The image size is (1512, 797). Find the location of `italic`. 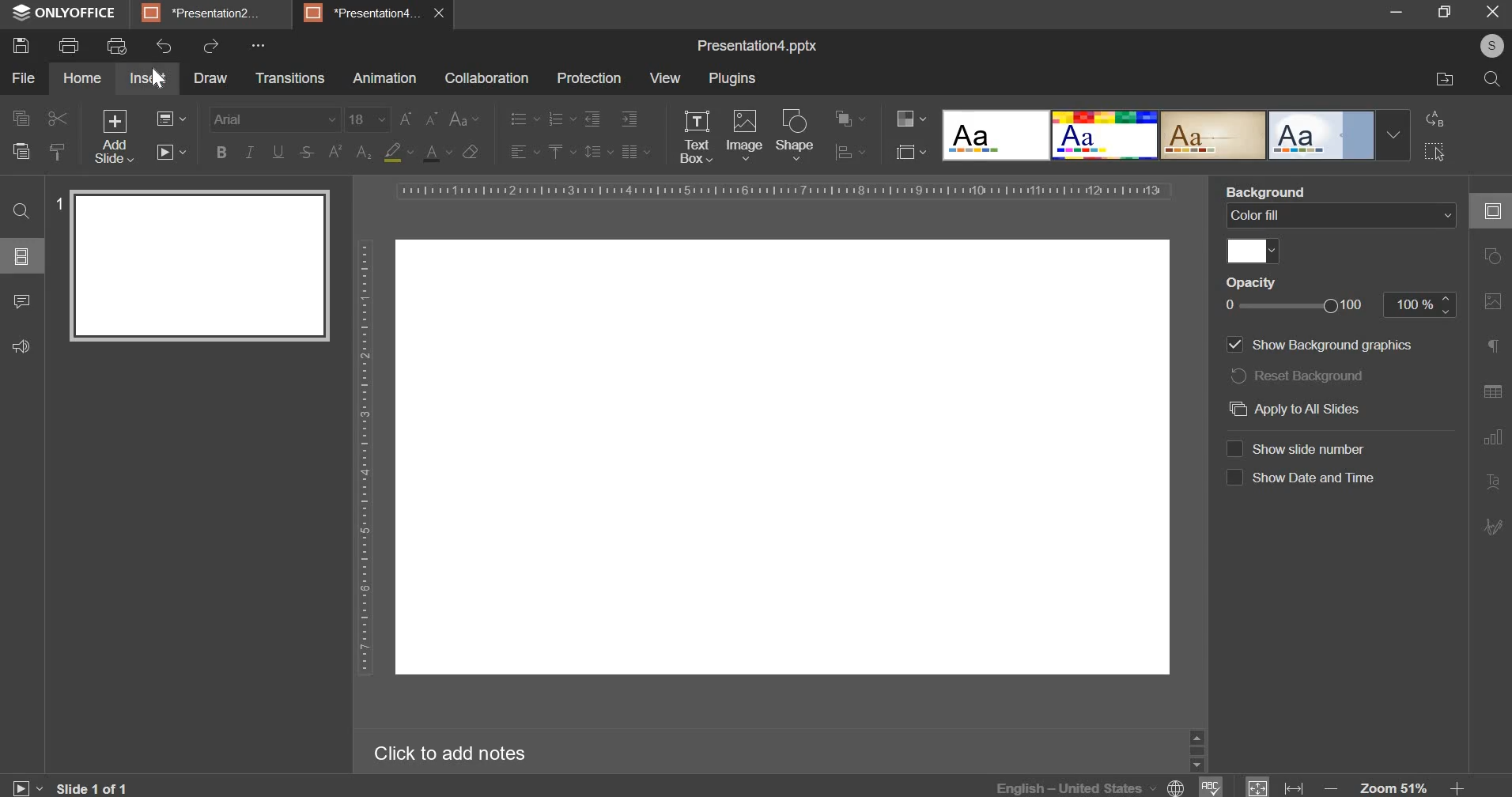

italic is located at coordinates (248, 150).